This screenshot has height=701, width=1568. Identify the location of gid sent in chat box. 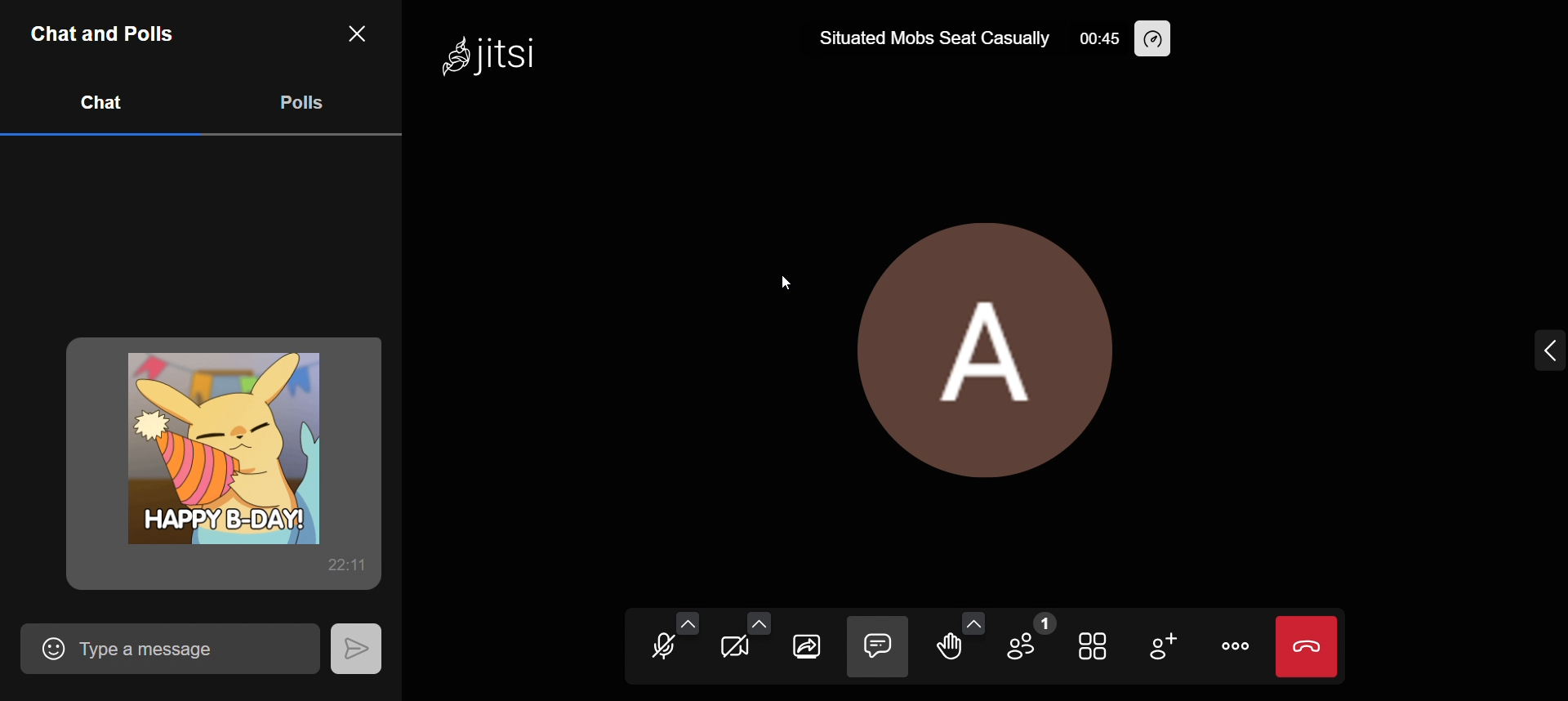
(237, 433).